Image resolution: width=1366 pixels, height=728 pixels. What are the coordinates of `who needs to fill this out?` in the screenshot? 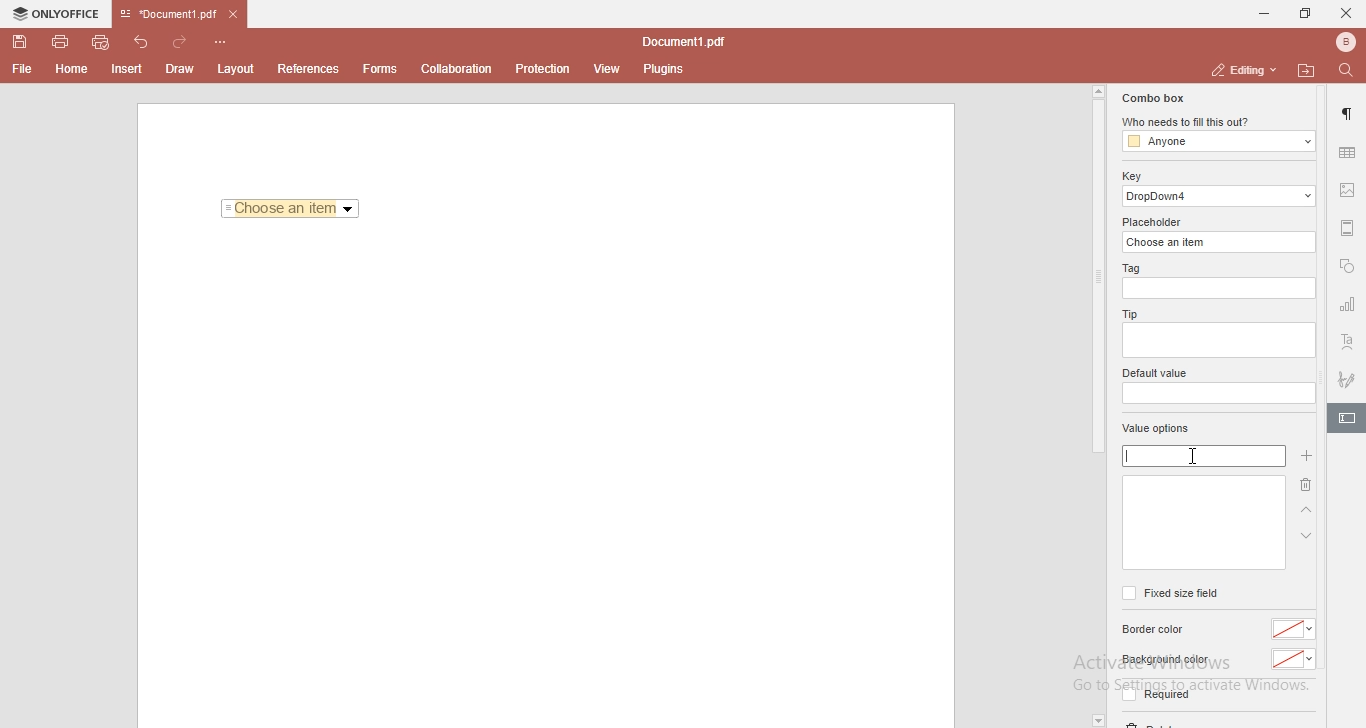 It's located at (1216, 123).